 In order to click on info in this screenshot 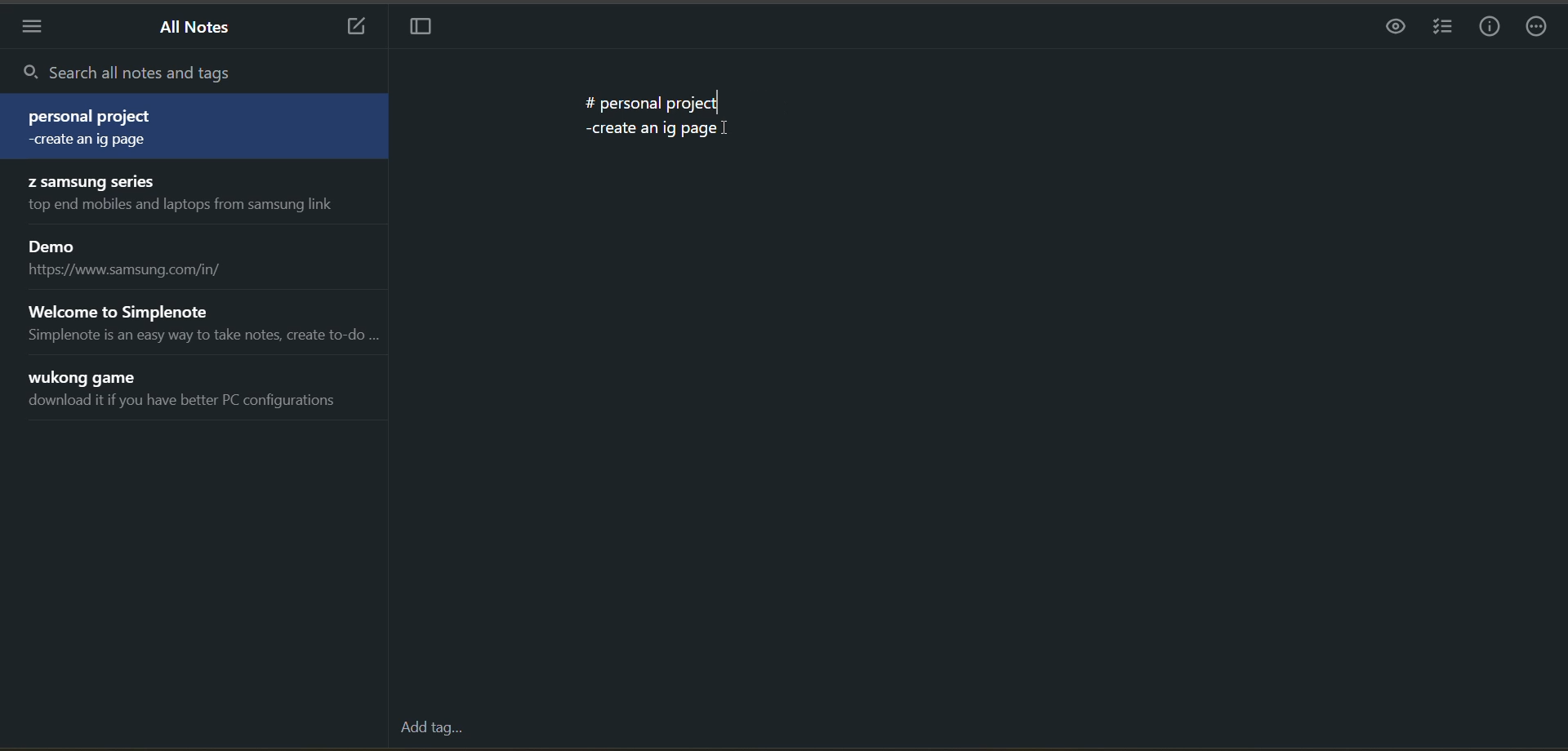, I will do `click(1492, 26)`.